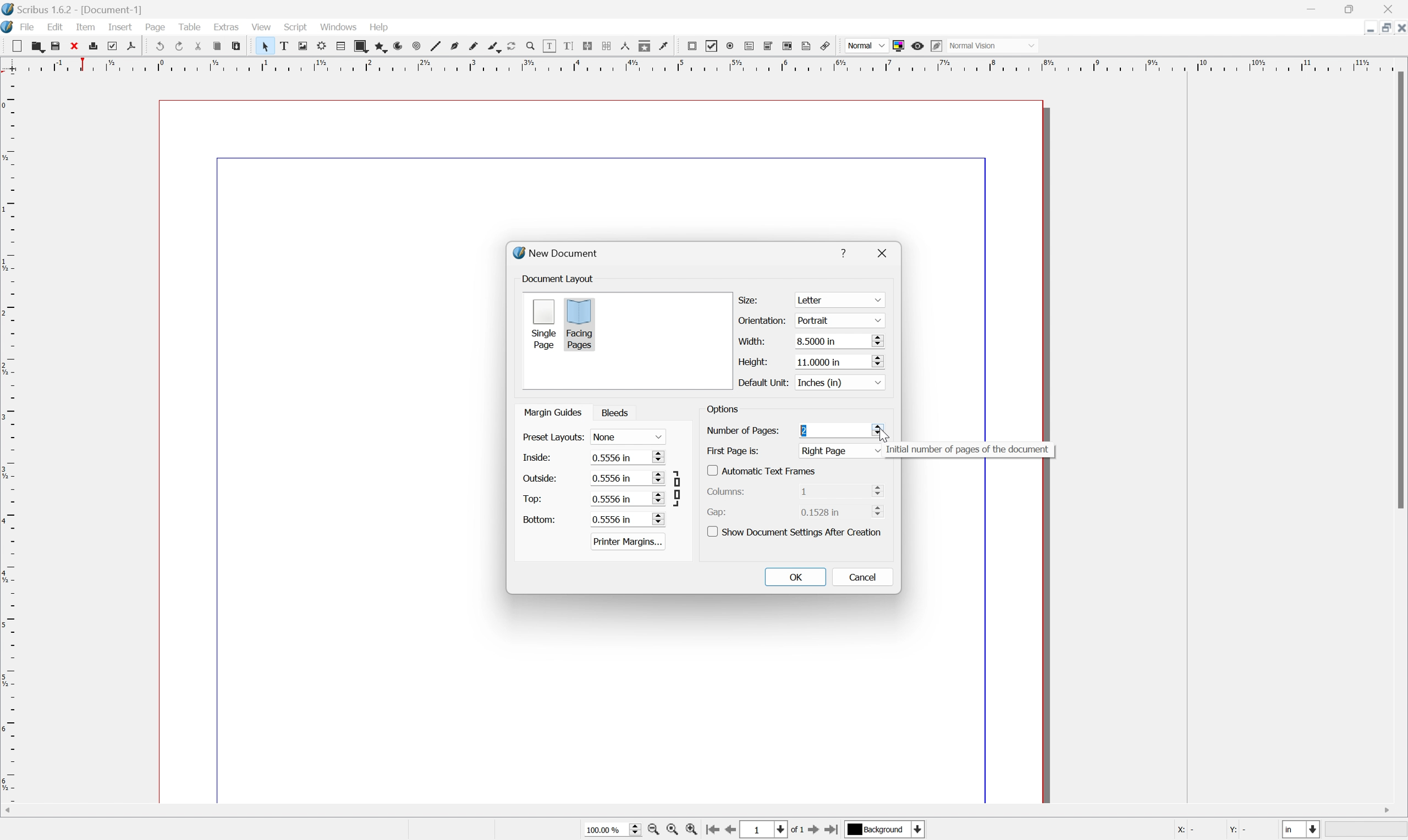  What do you see at coordinates (814, 831) in the screenshot?
I see `go to next page` at bounding box center [814, 831].